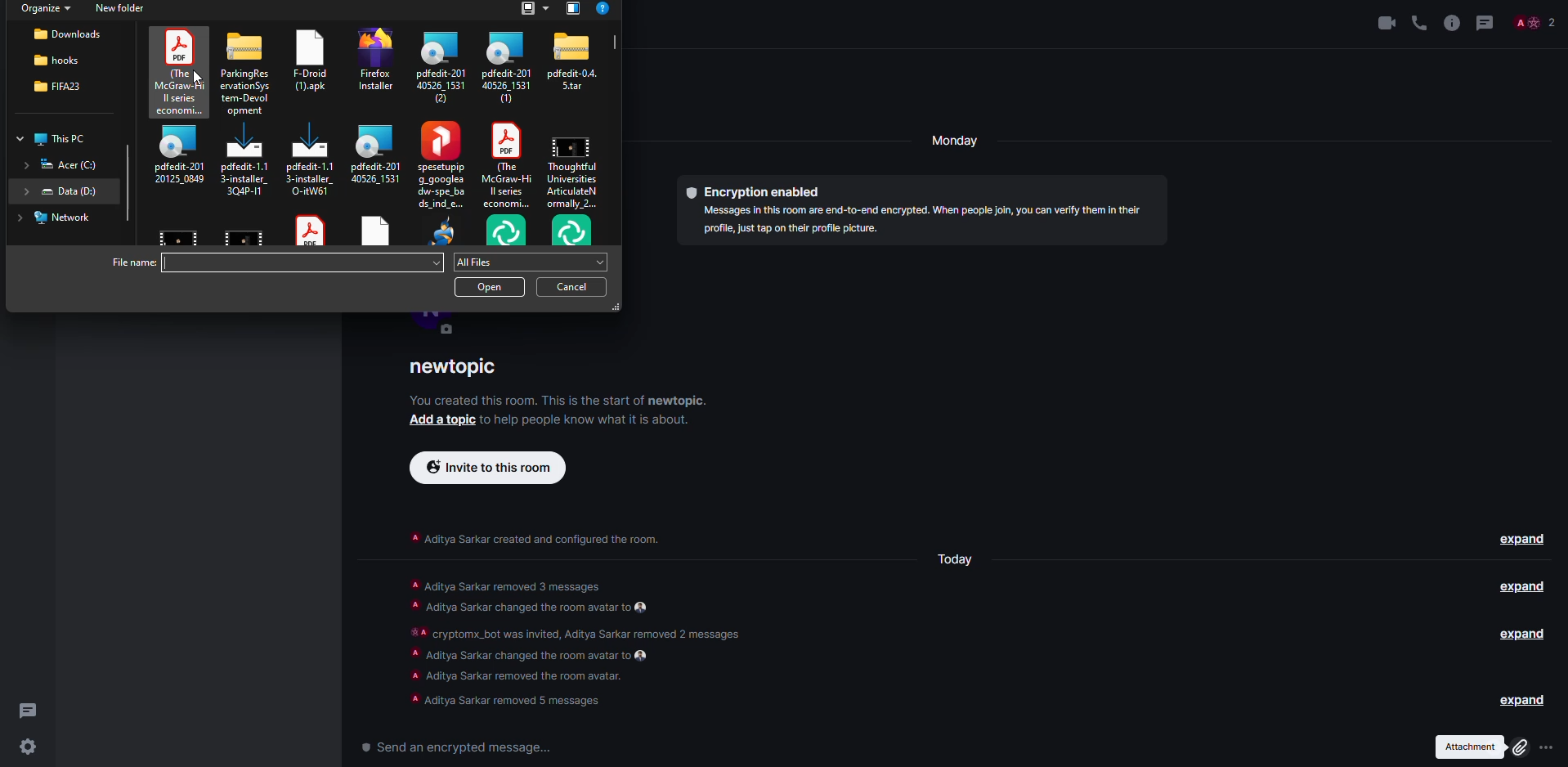 The width and height of the screenshot is (1568, 767). What do you see at coordinates (1519, 702) in the screenshot?
I see `expand` at bounding box center [1519, 702].